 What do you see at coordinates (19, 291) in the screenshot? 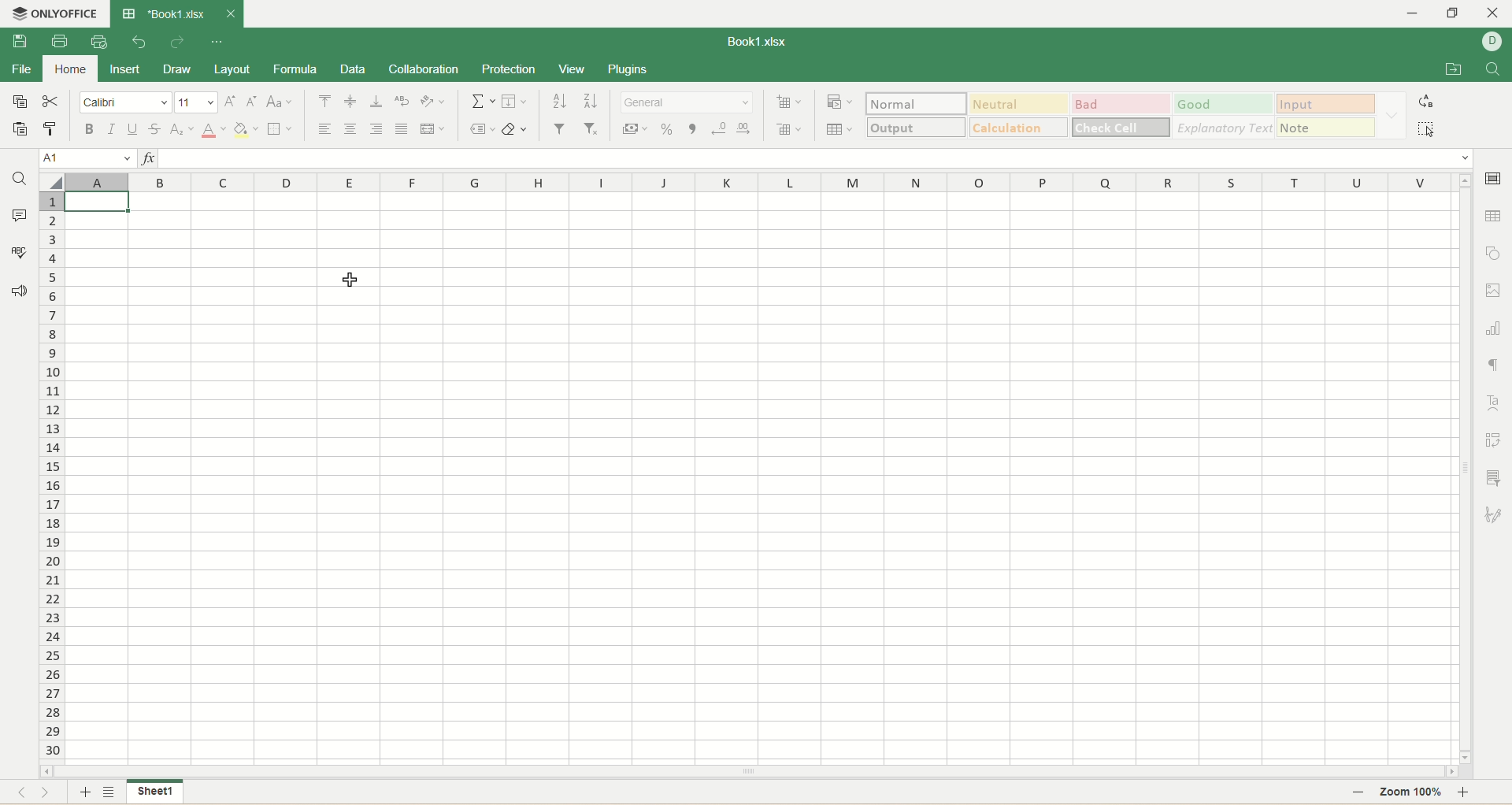
I see `feedback and support` at bounding box center [19, 291].